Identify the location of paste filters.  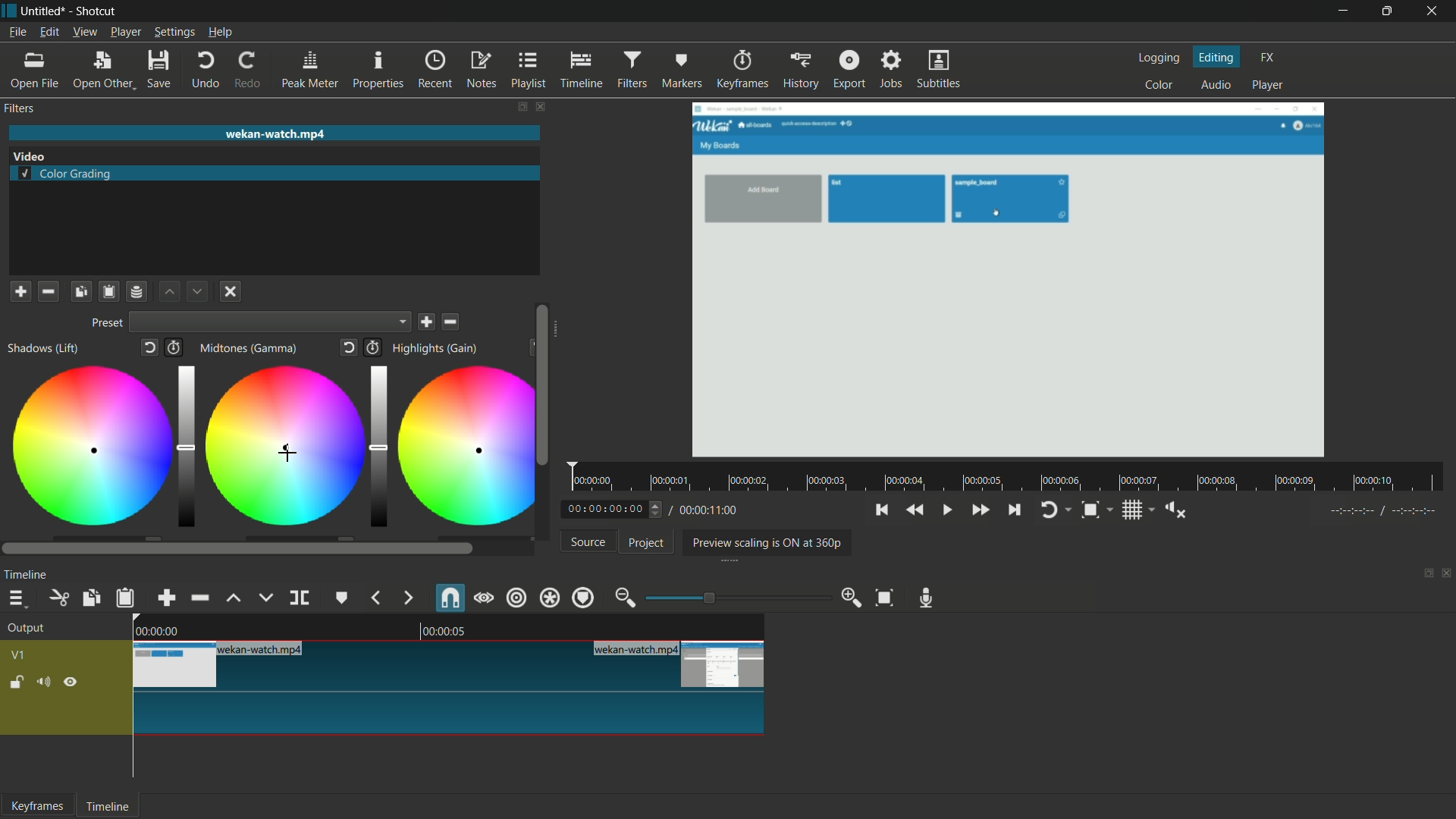
(108, 293).